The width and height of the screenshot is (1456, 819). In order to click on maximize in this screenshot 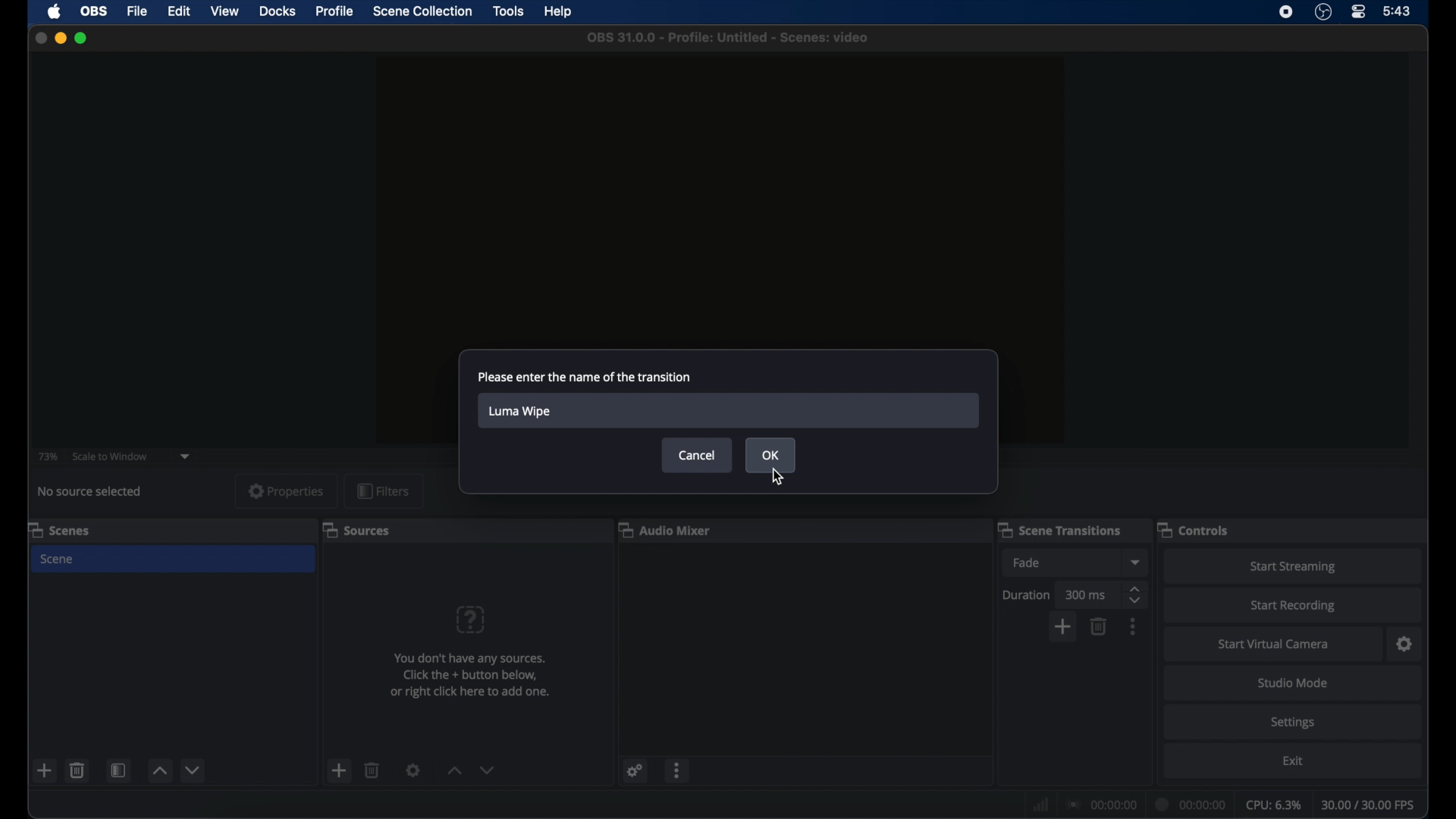, I will do `click(83, 38)`.